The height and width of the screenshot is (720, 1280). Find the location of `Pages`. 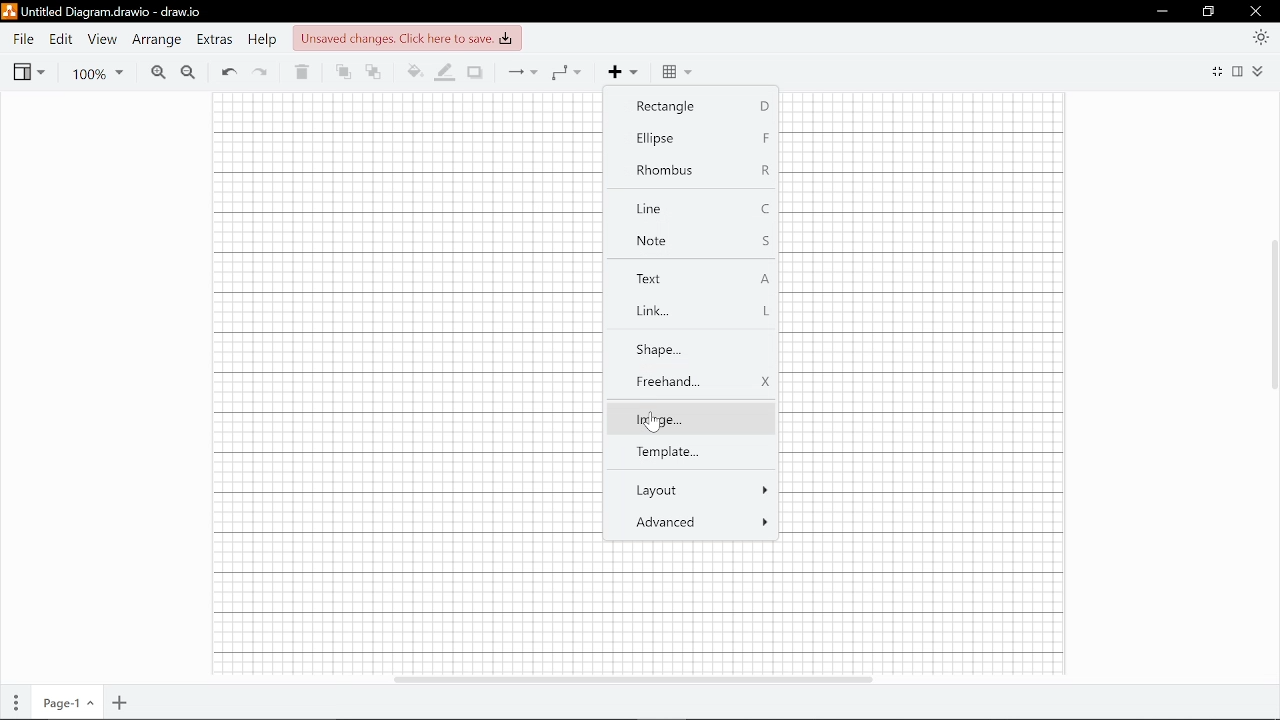

Pages is located at coordinates (14, 703).